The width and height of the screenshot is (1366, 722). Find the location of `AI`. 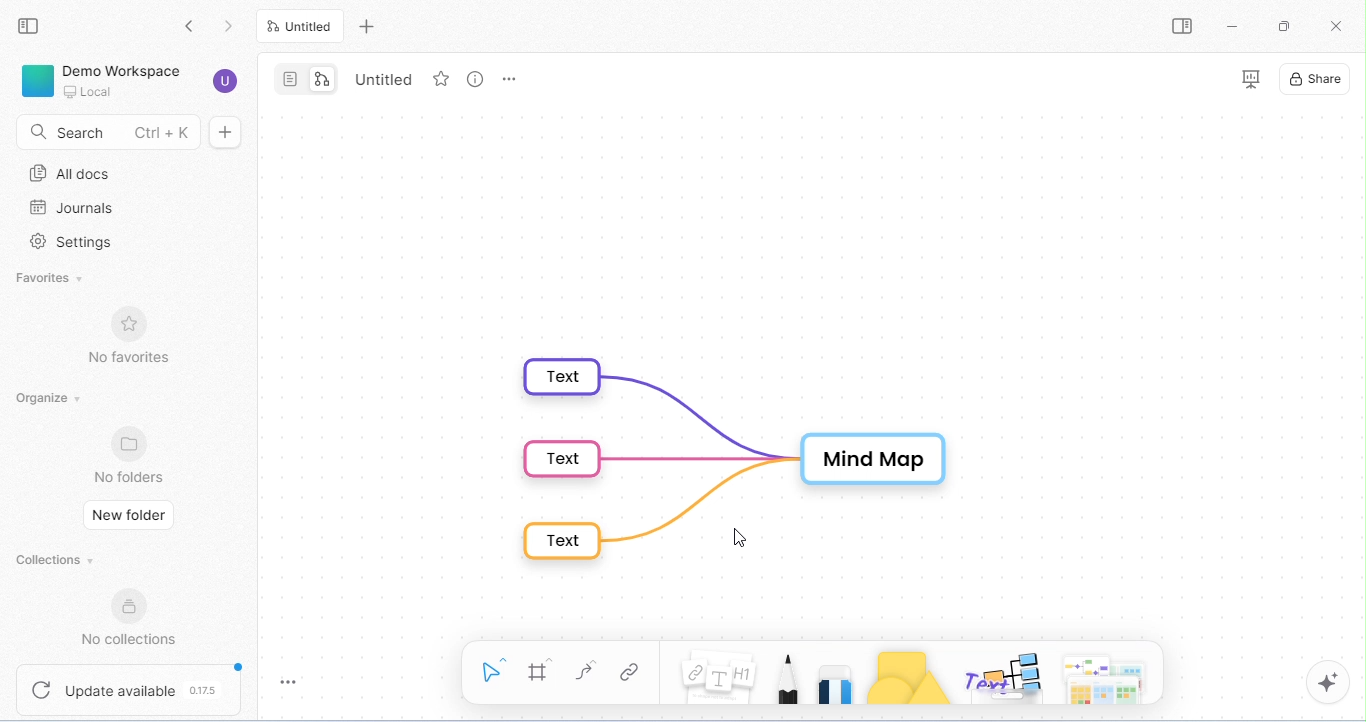

AI is located at coordinates (1328, 682).